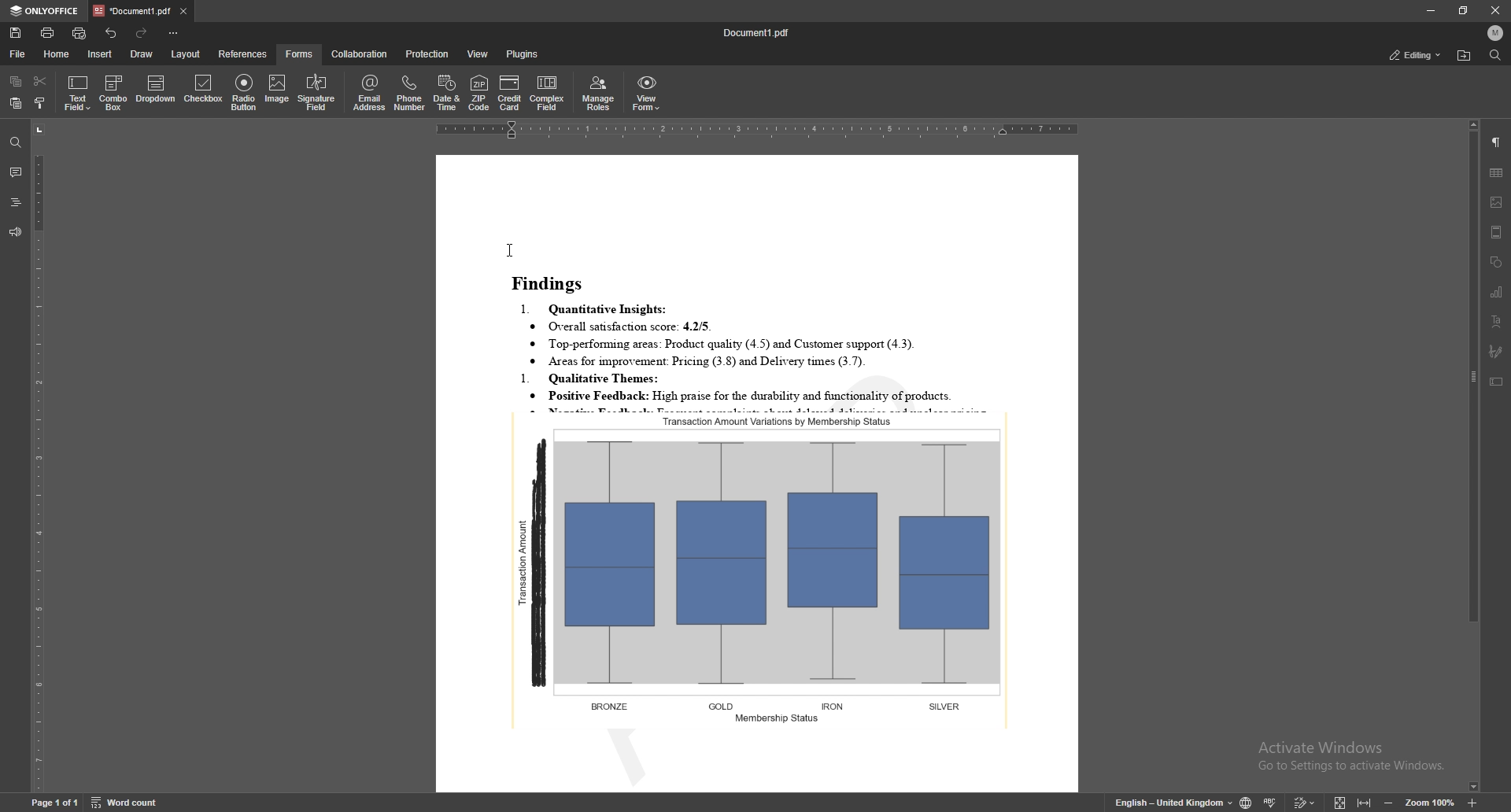 This screenshot has width=1511, height=812. What do you see at coordinates (758, 132) in the screenshot?
I see `horizontal scale` at bounding box center [758, 132].